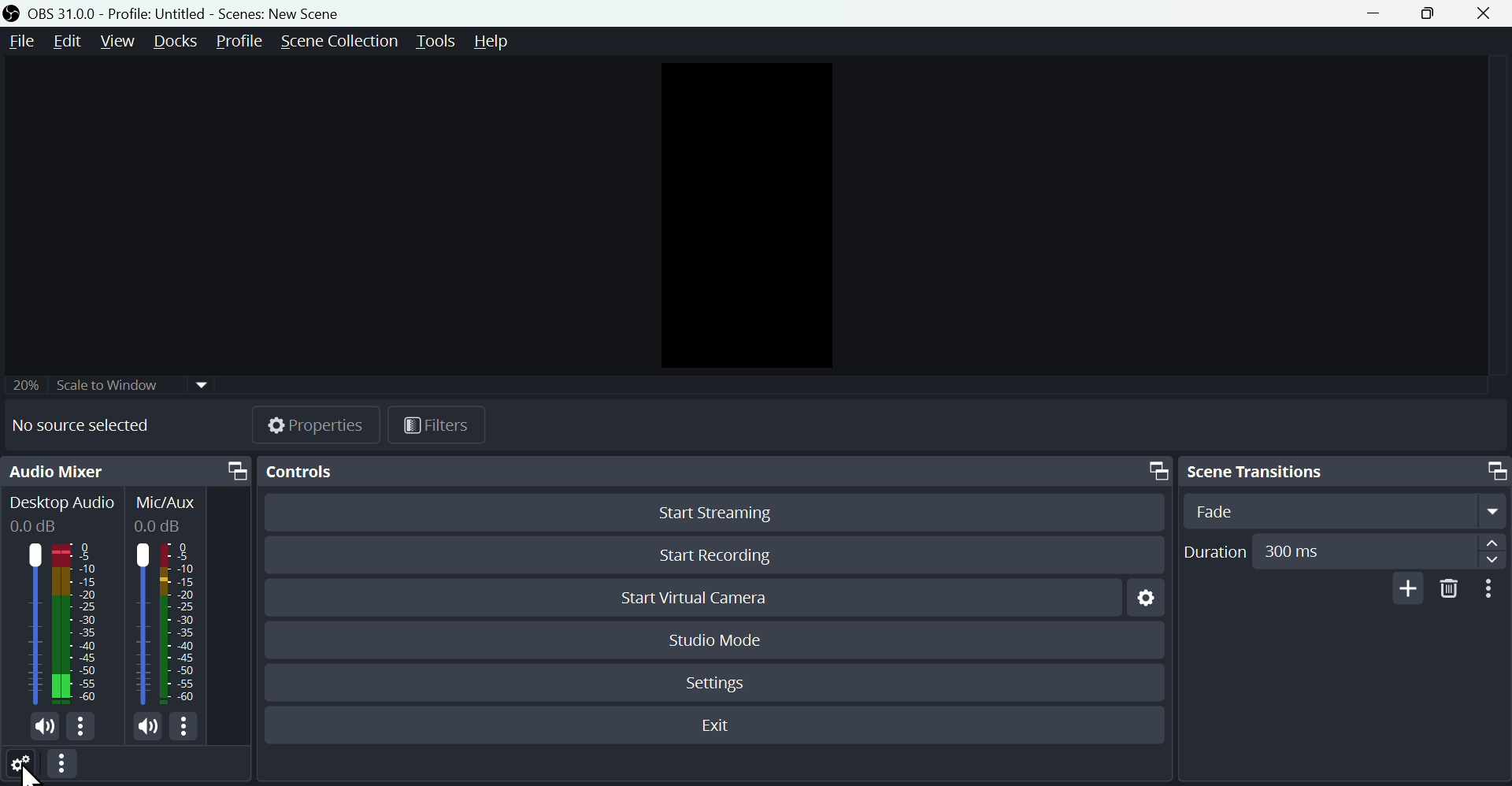  I want to click on More options, so click(187, 729).